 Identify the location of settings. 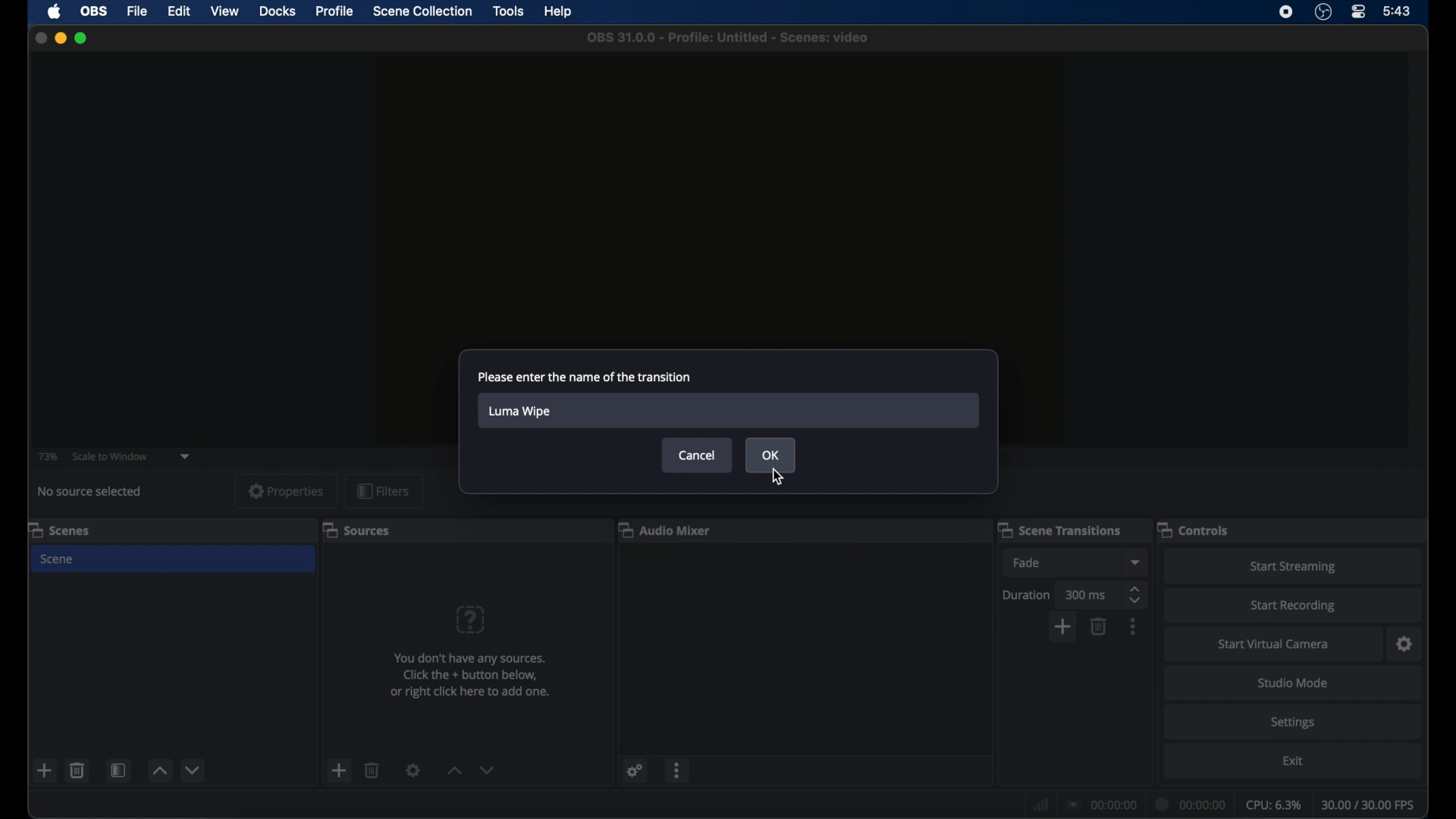
(413, 770).